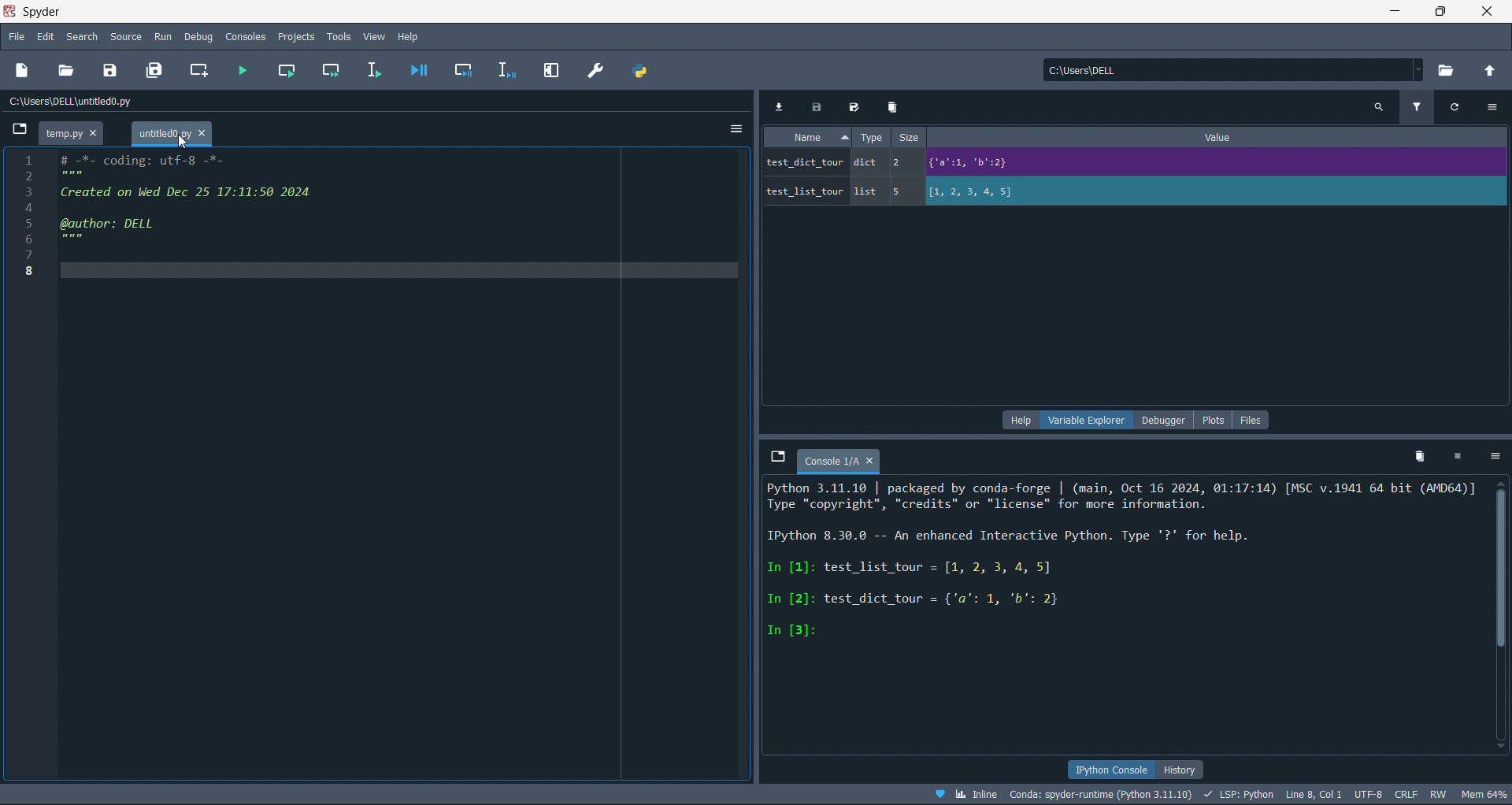 This screenshot has height=805, width=1512. Describe the element at coordinates (1482, 794) in the screenshot. I see `Mem 64%` at that location.